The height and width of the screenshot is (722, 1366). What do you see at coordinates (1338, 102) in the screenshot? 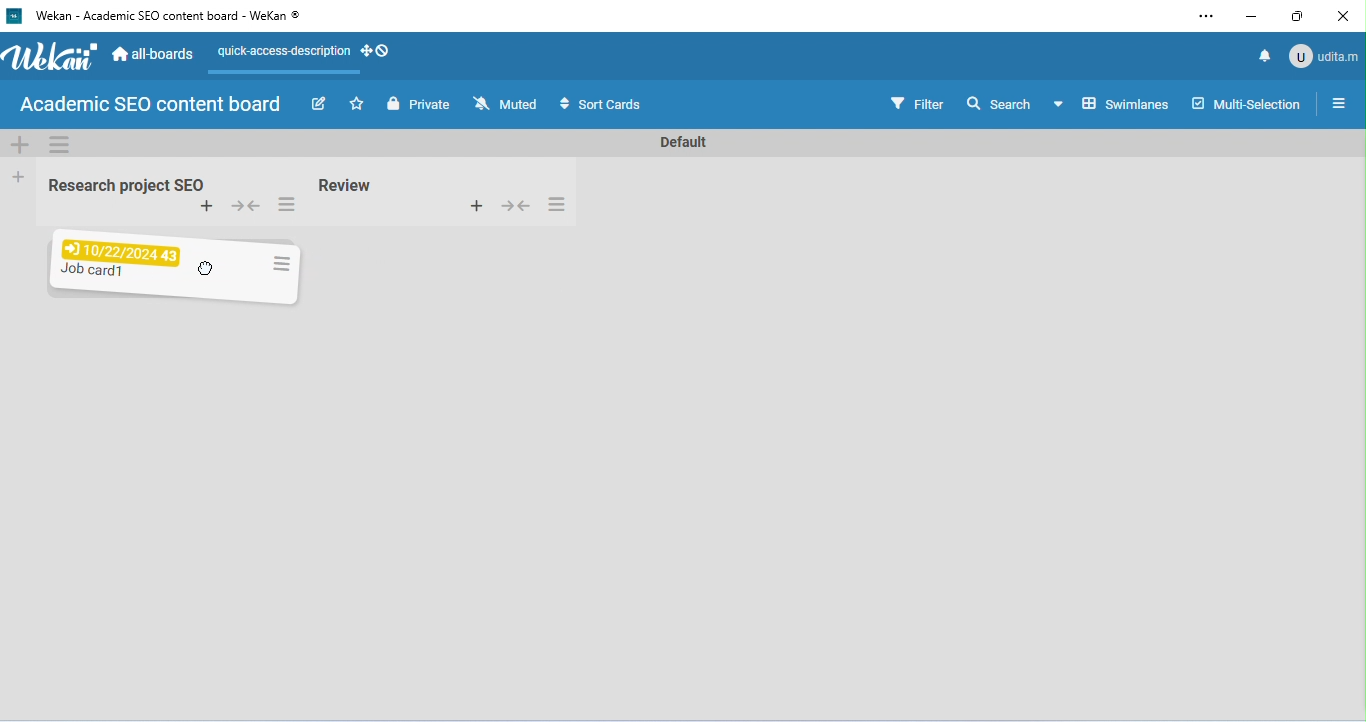
I see `open or close side bar` at bounding box center [1338, 102].